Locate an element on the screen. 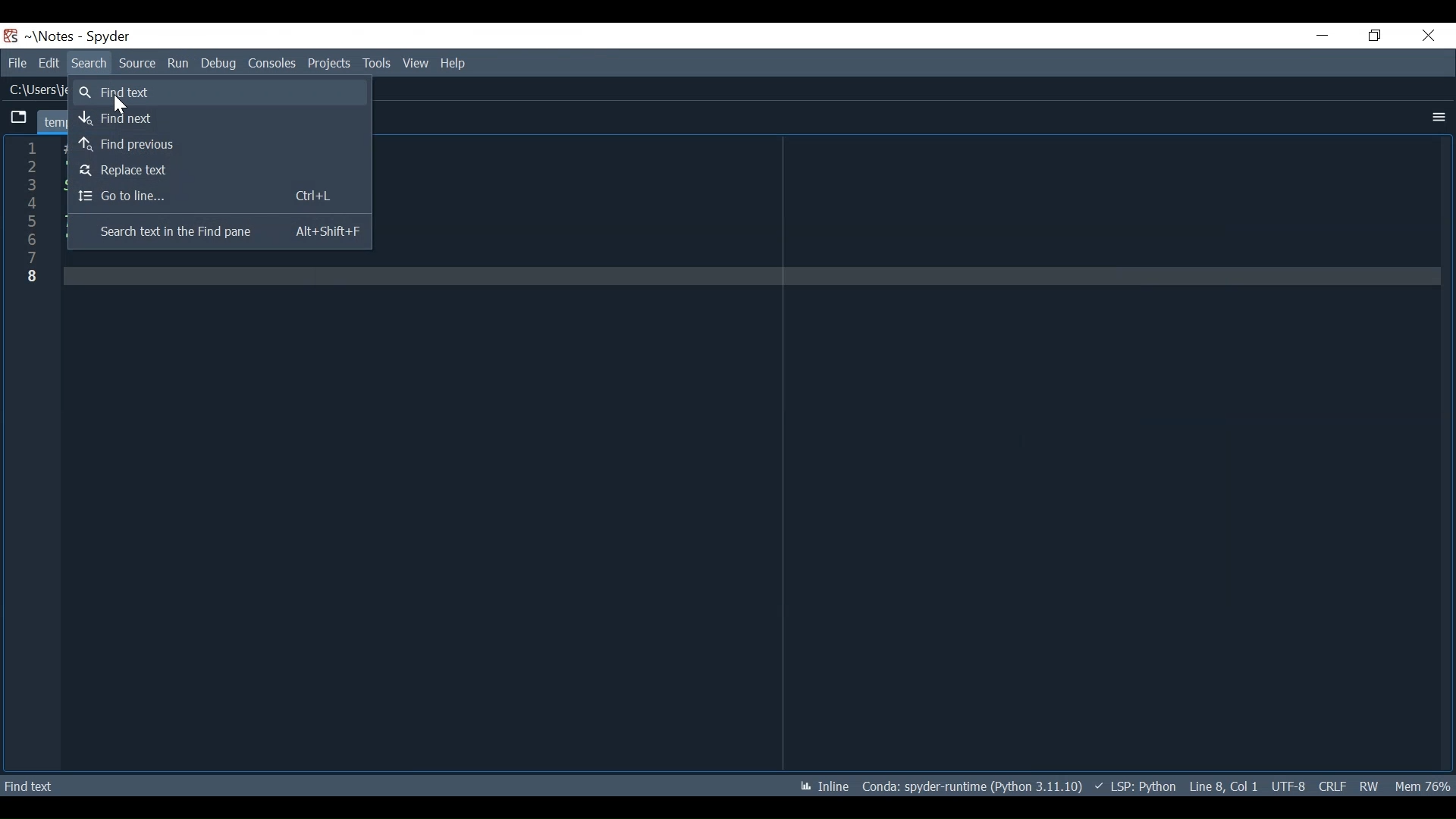  Replace Text is located at coordinates (215, 169).